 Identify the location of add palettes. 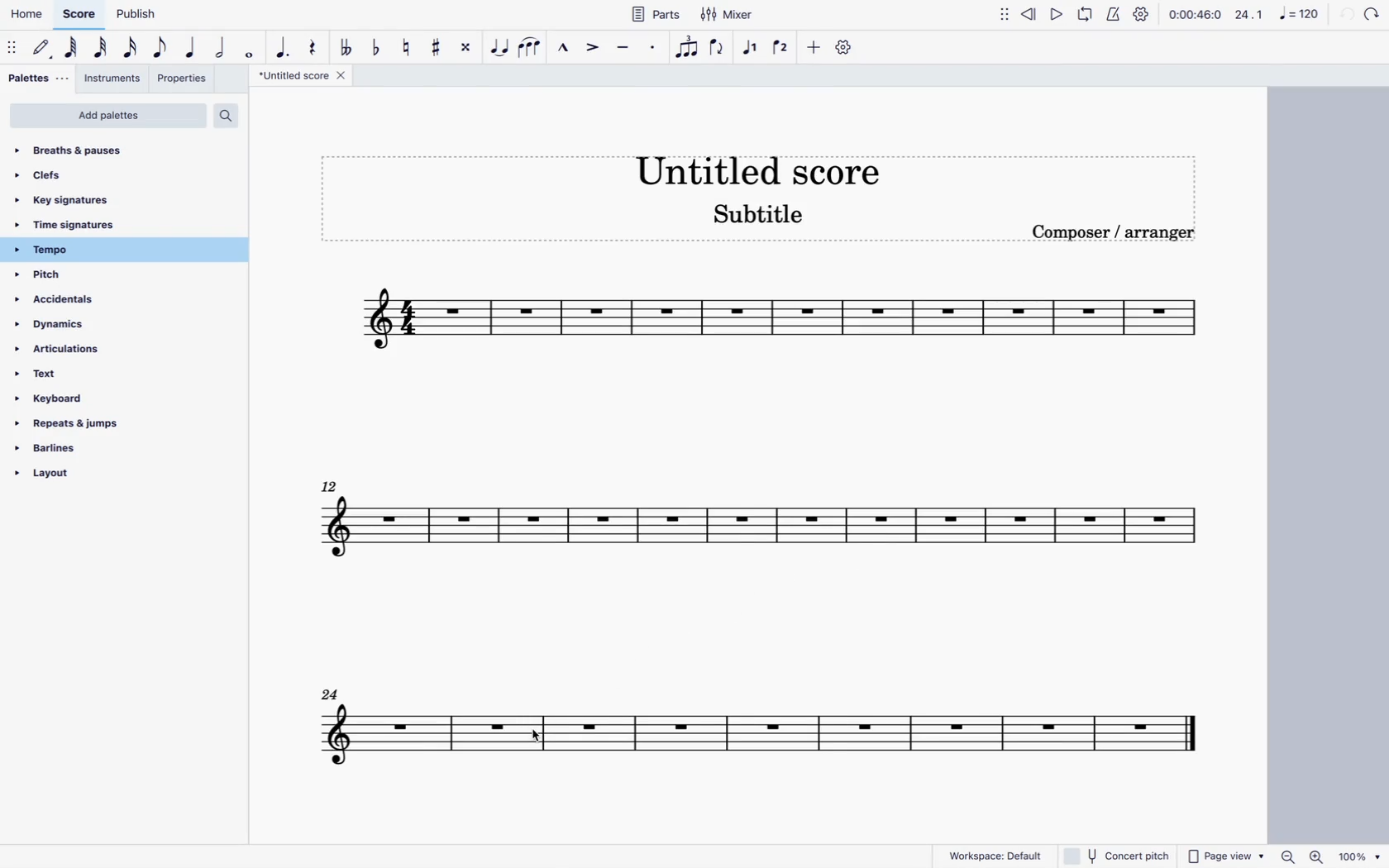
(108, 117).